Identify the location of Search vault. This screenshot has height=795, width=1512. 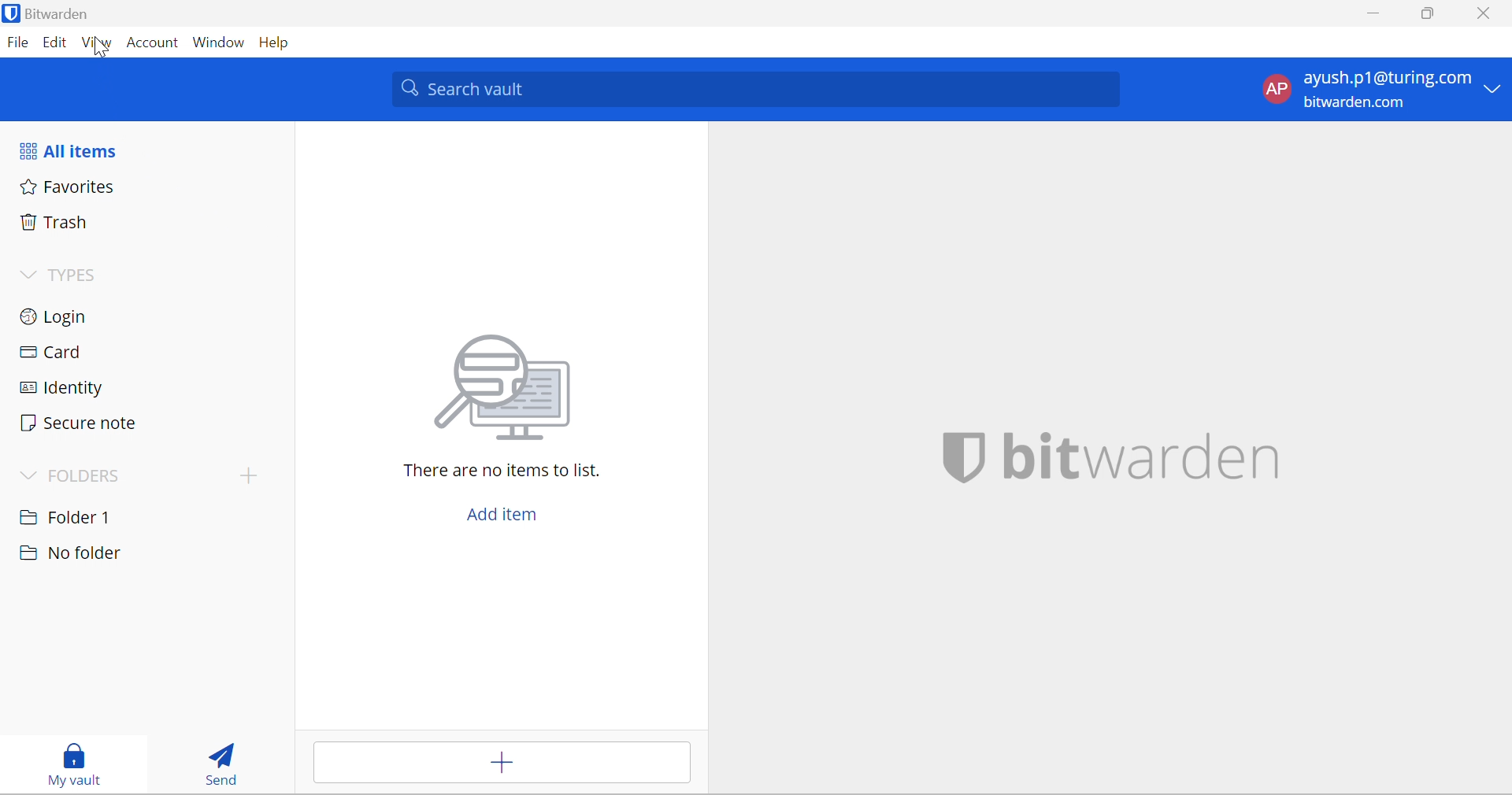
(754, 91).